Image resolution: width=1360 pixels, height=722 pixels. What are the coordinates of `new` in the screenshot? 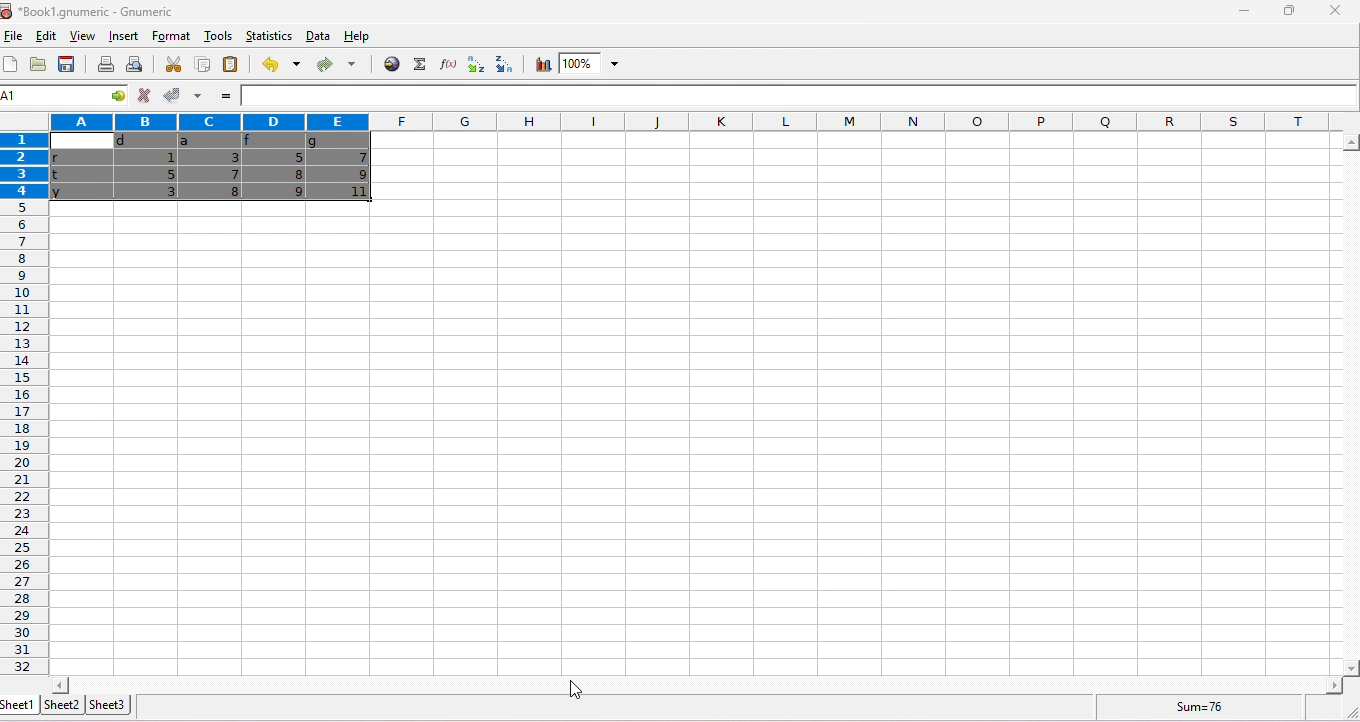 It's located at (12, 65).